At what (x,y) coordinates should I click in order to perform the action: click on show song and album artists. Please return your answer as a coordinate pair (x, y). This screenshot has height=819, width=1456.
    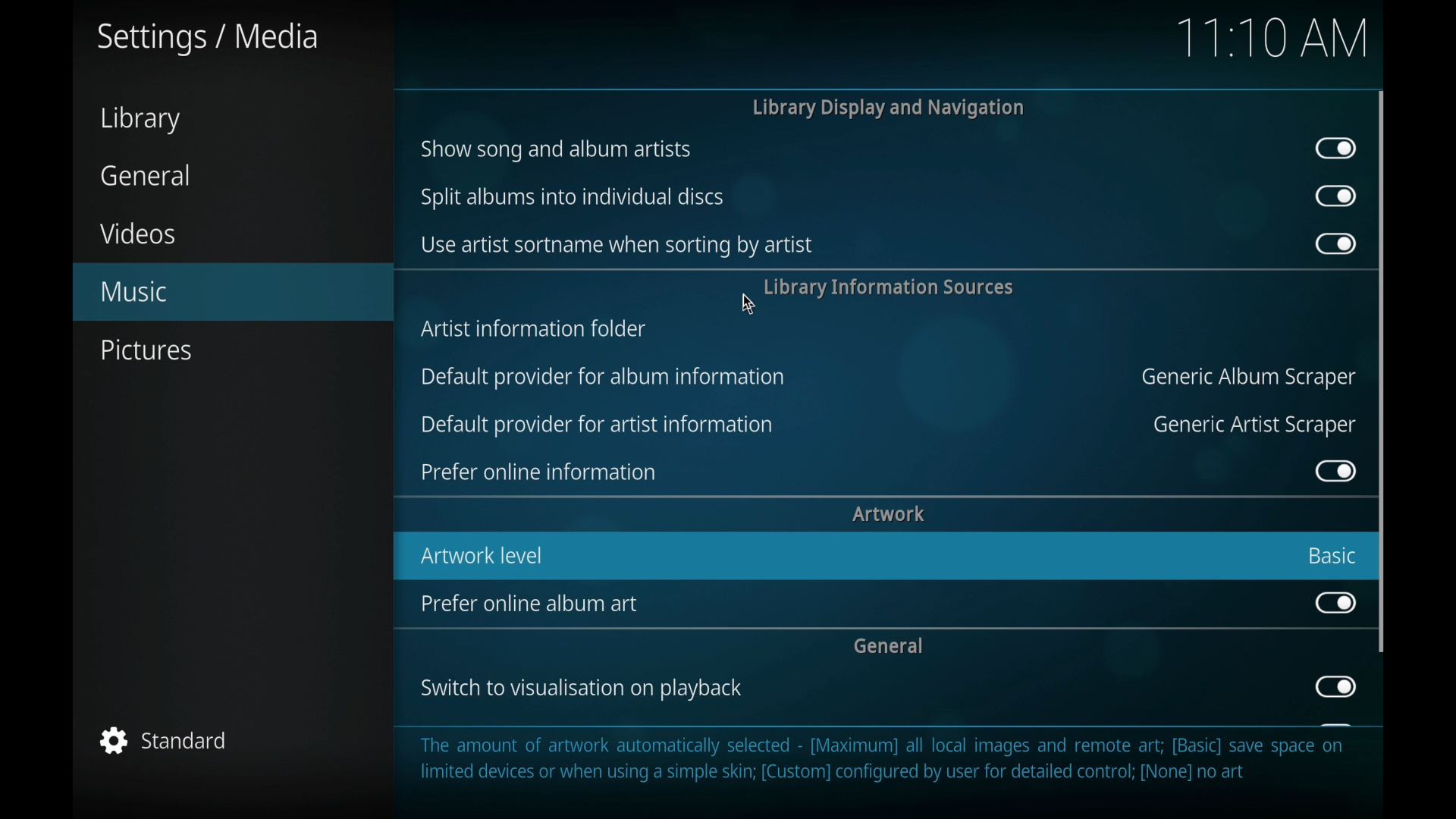
    Looking at the image, I should click on (555, 150).